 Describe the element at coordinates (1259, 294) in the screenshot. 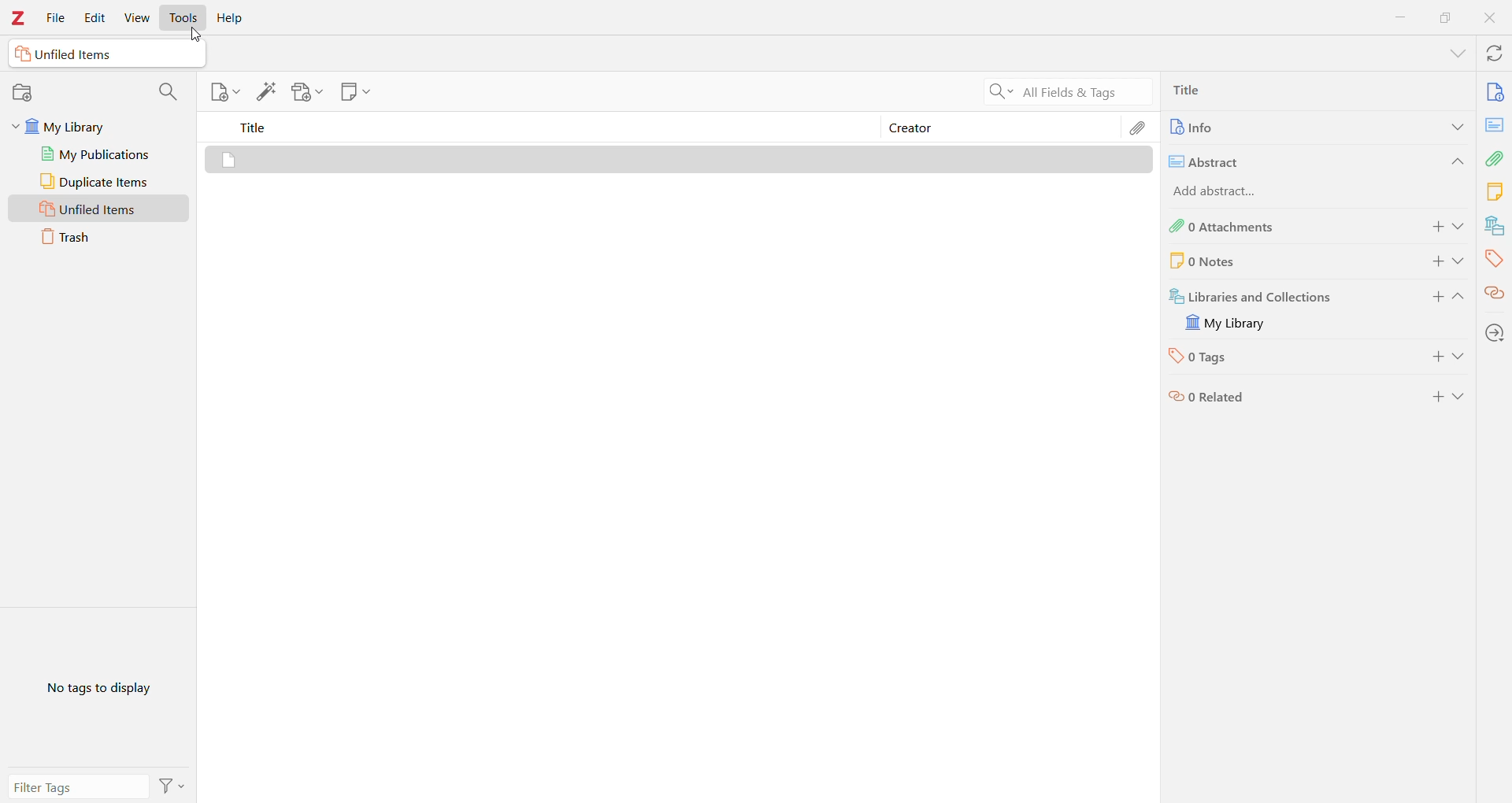

I see `Libraries and Collections` at that location.